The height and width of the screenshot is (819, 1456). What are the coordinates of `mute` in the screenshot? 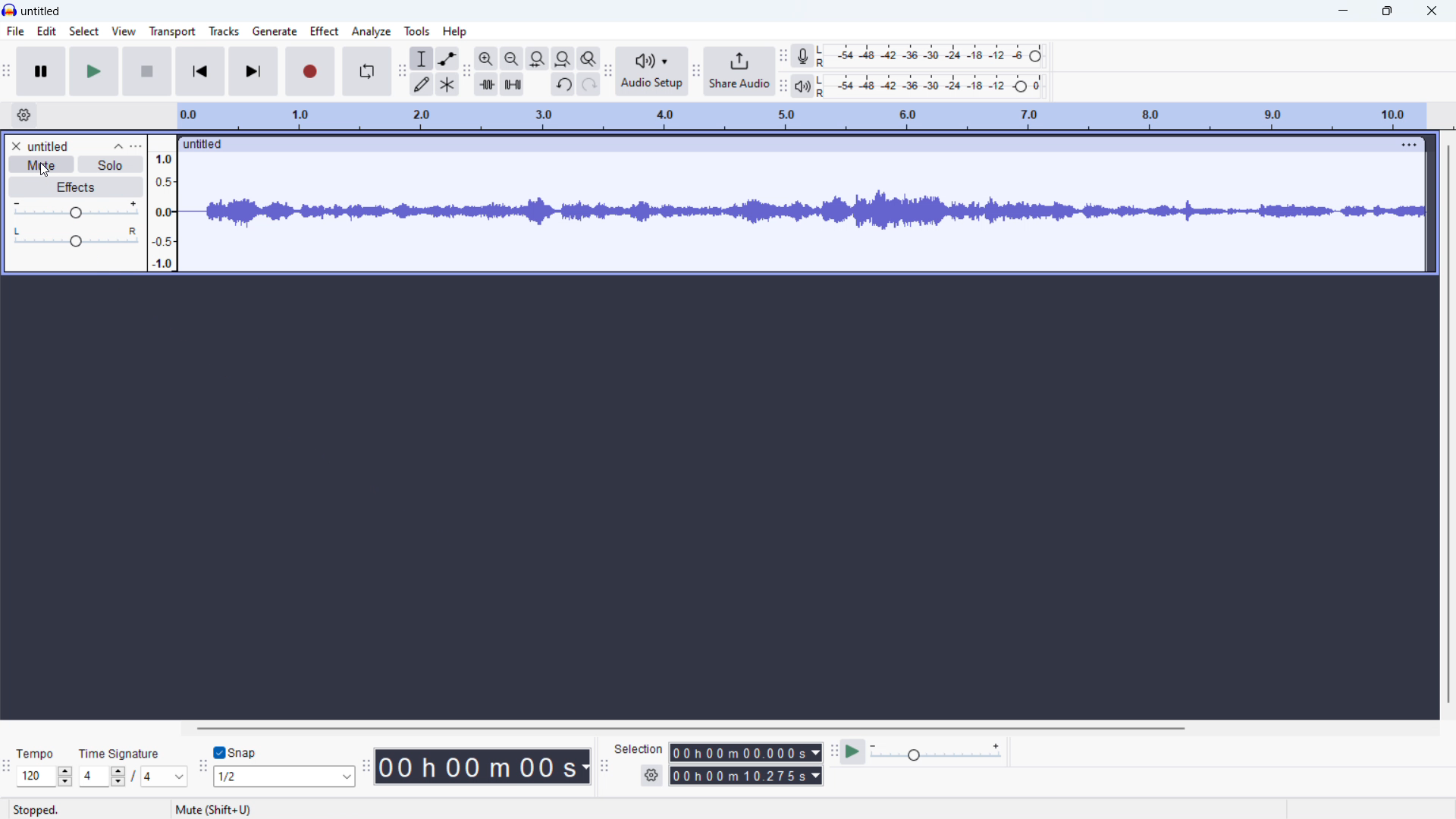 It's located at (41, 164).